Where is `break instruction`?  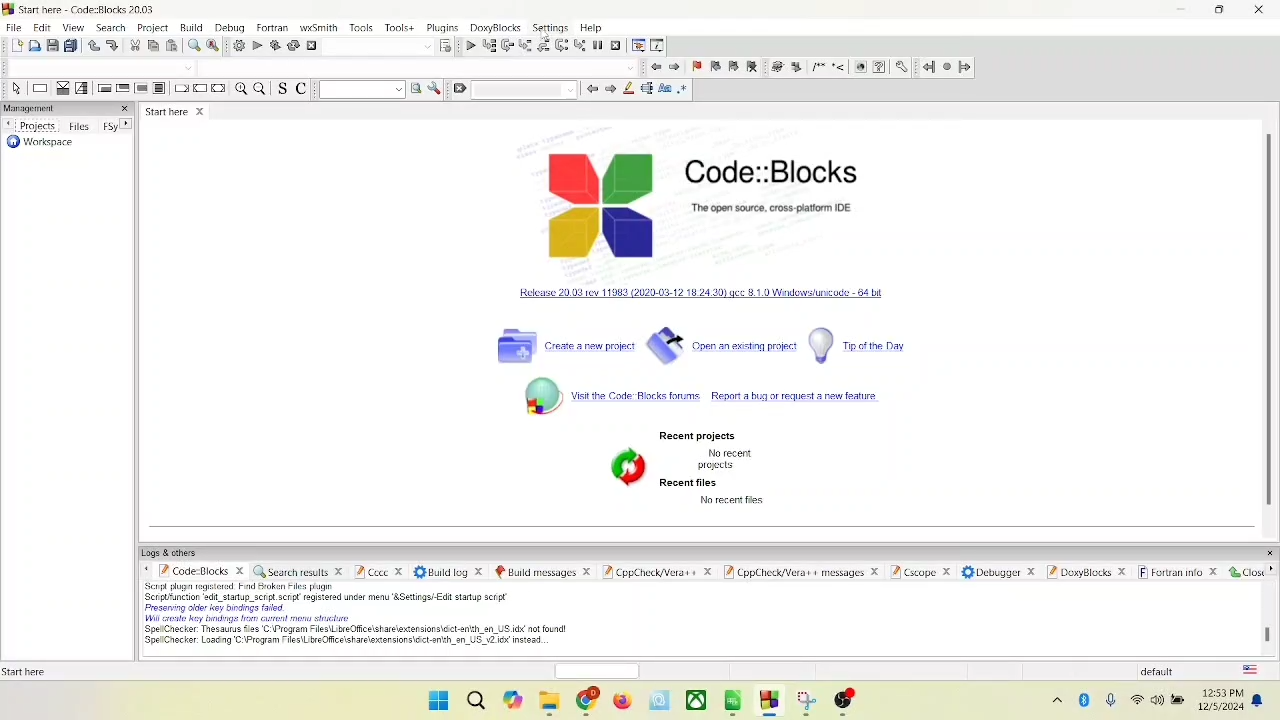 break instruction is located at coordinates (180, 88).